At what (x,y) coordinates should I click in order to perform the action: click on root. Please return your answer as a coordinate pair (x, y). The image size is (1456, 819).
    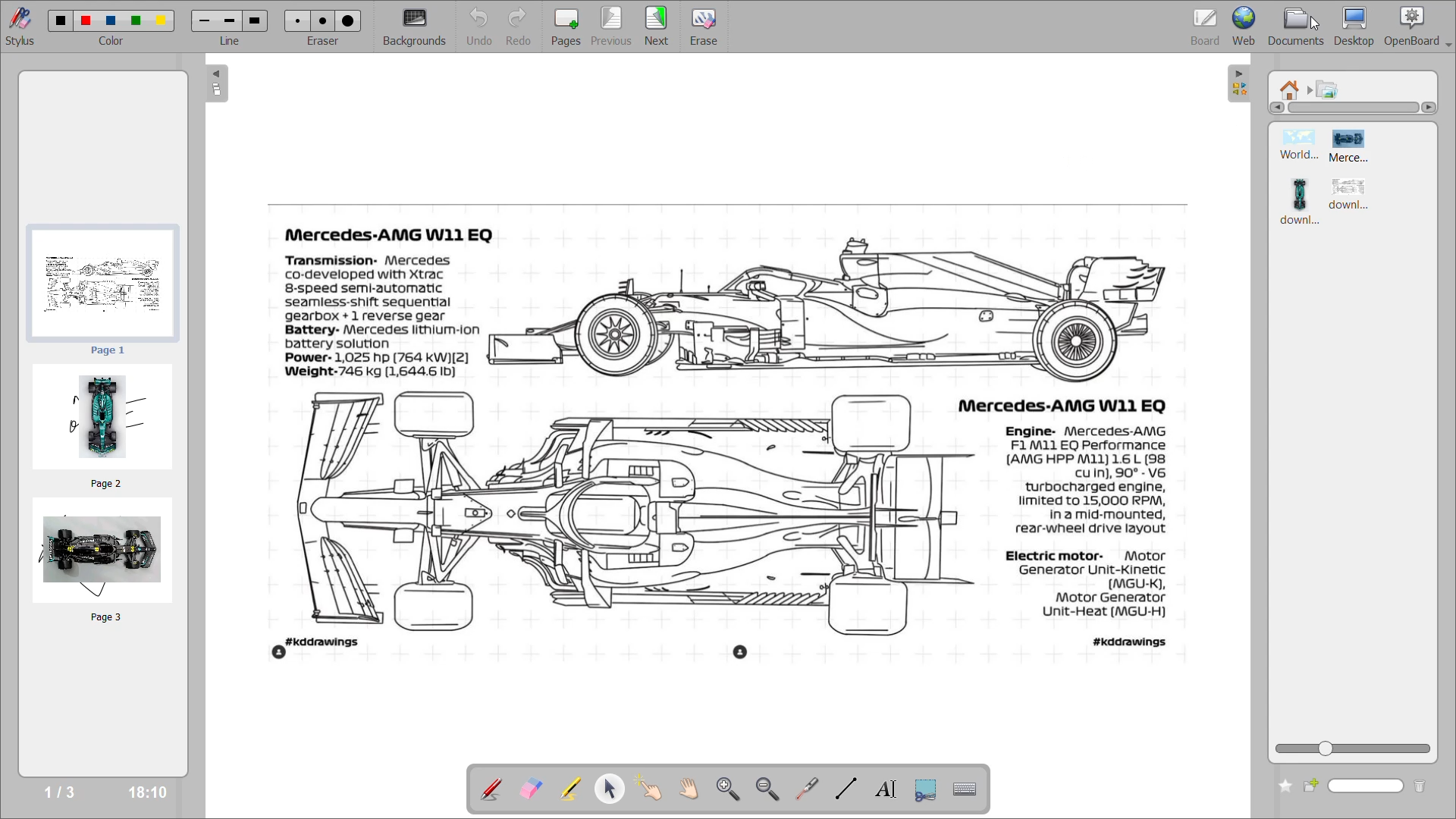
    Looking at the image, I should click on (1291, 89).